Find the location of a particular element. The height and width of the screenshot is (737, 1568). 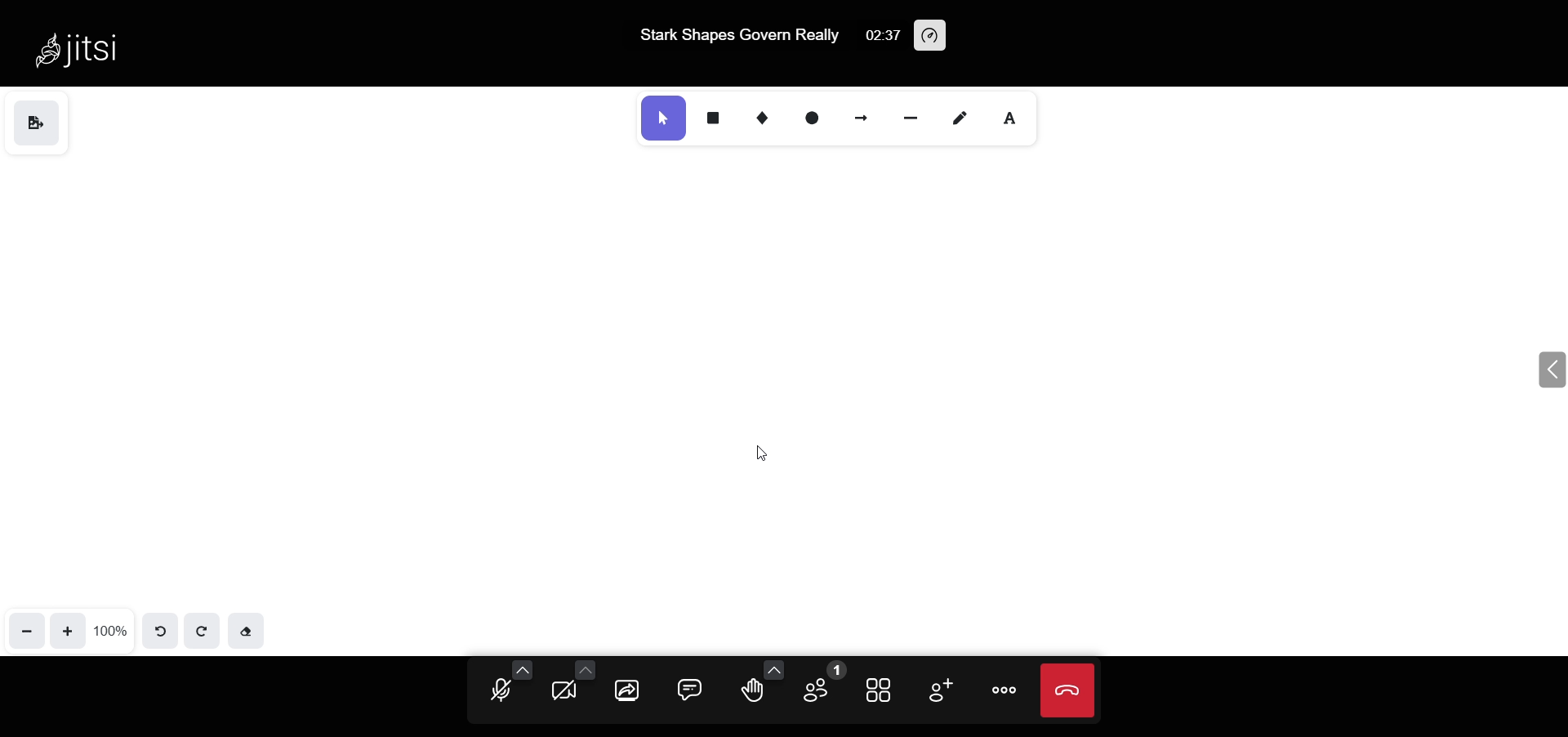

diamond is located at coordinates (759, 118).